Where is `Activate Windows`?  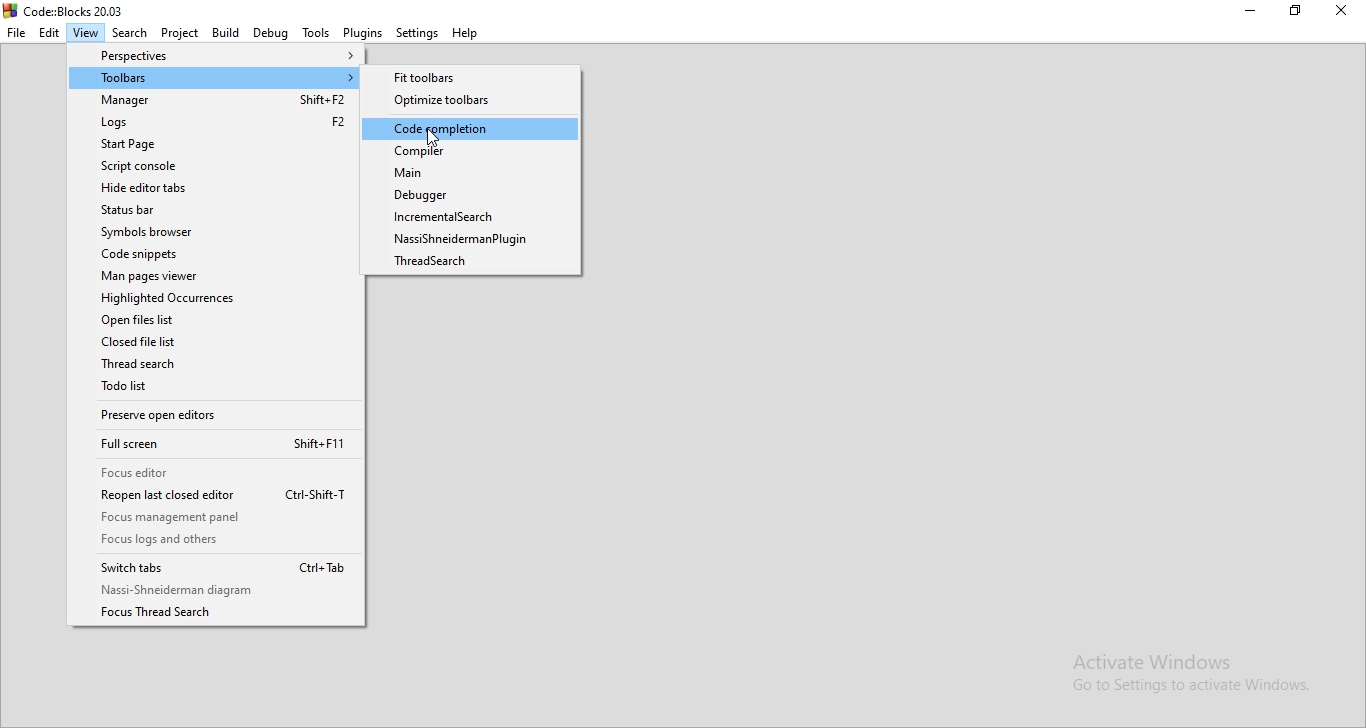 Activate Windows is located at coordinates (1195, 672).